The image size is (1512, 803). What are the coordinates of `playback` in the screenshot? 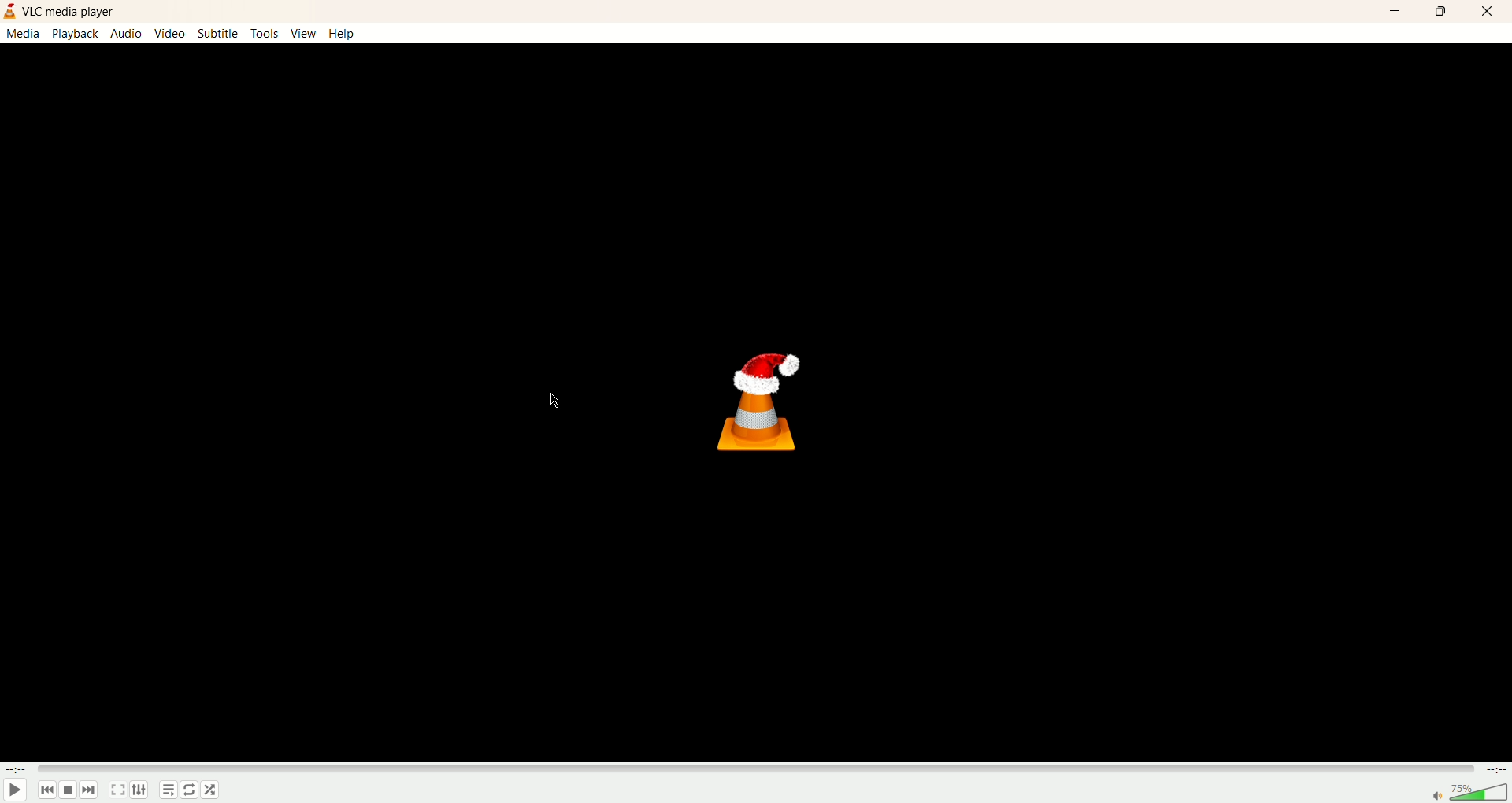 It's located at (76, 33).